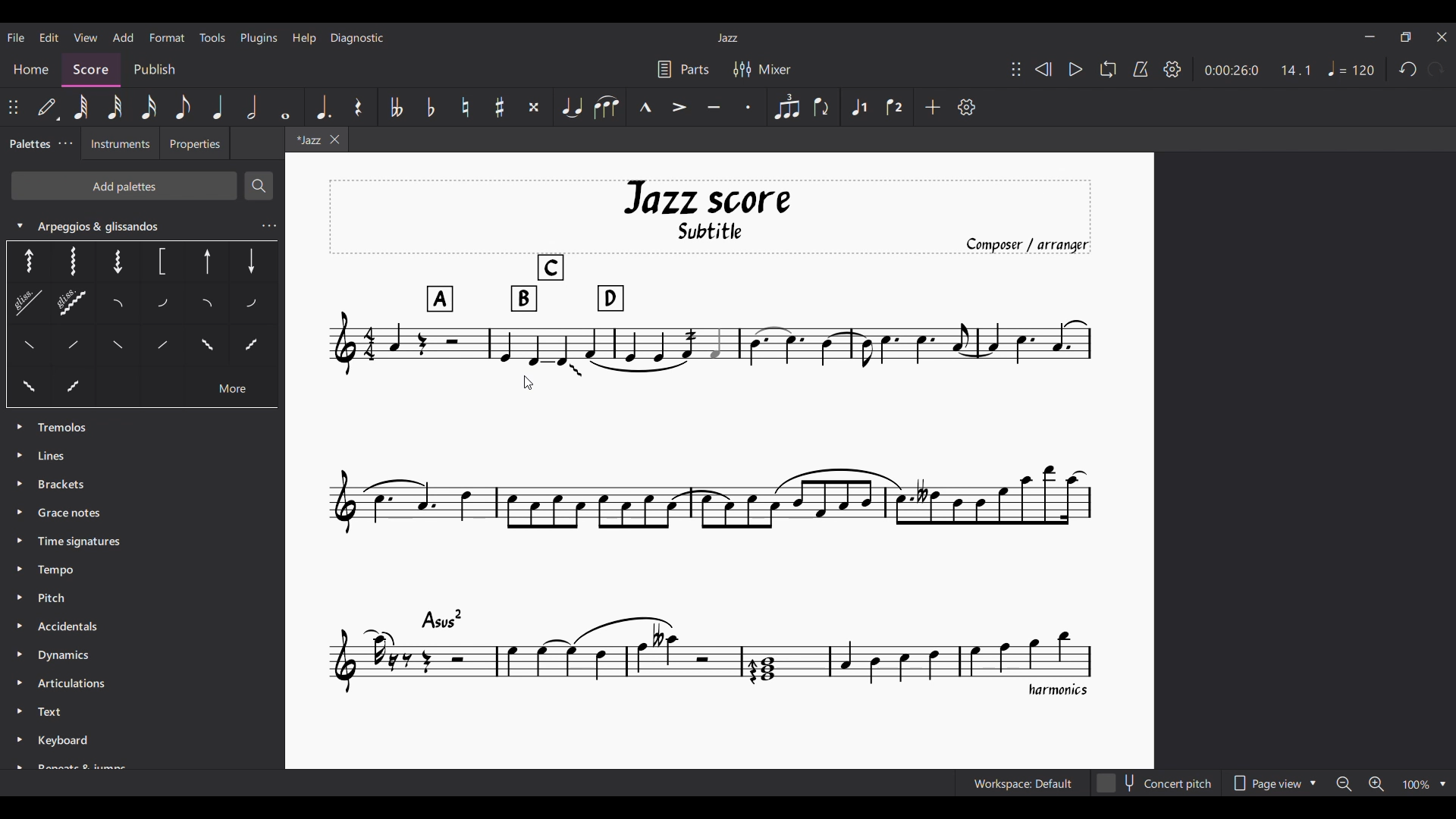  What do you see at coordinates (726, 38) in the screenshot?
I see `Title of current score` at bounding box center [726, 38].